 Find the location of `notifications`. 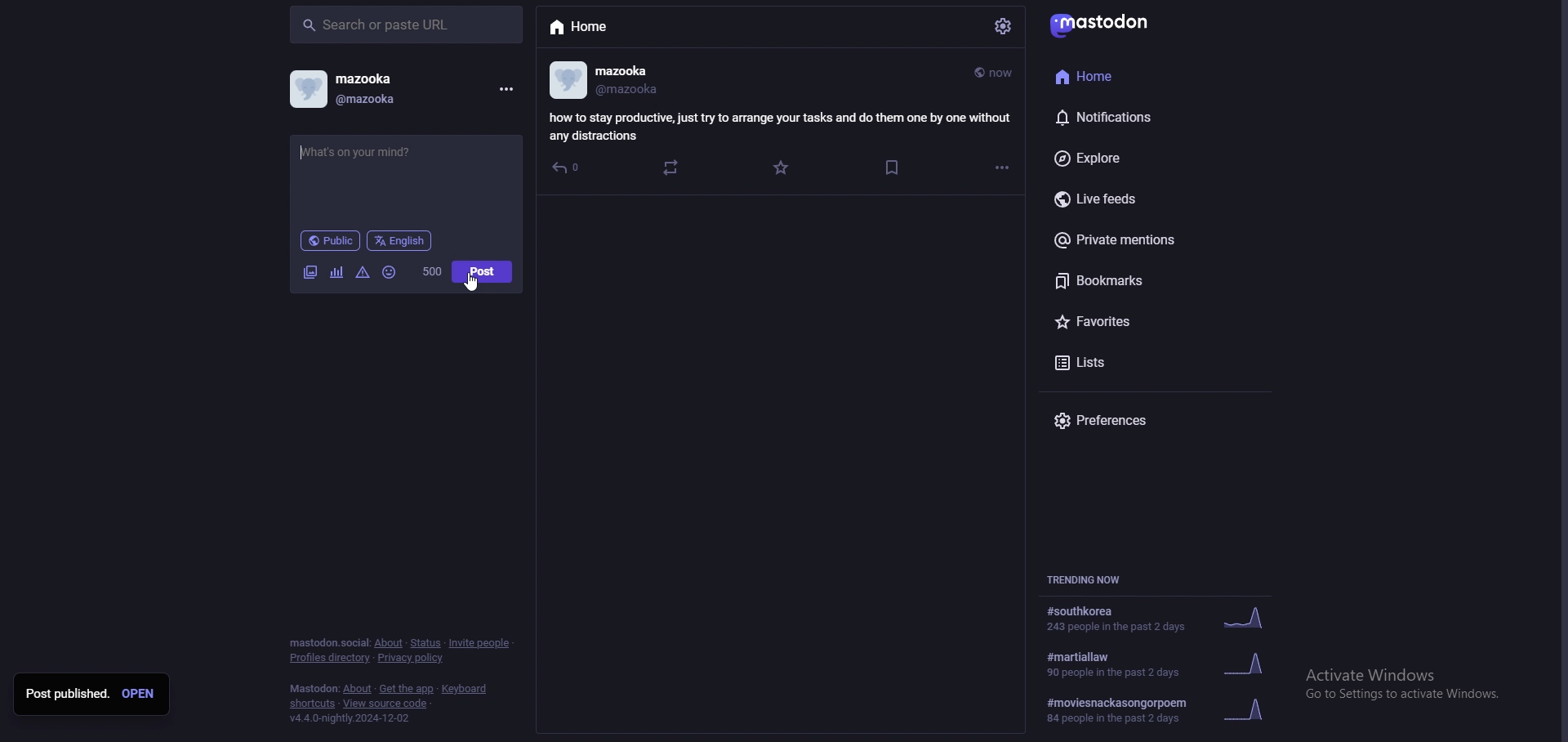

notifications is located at coordinates (1127, 118).